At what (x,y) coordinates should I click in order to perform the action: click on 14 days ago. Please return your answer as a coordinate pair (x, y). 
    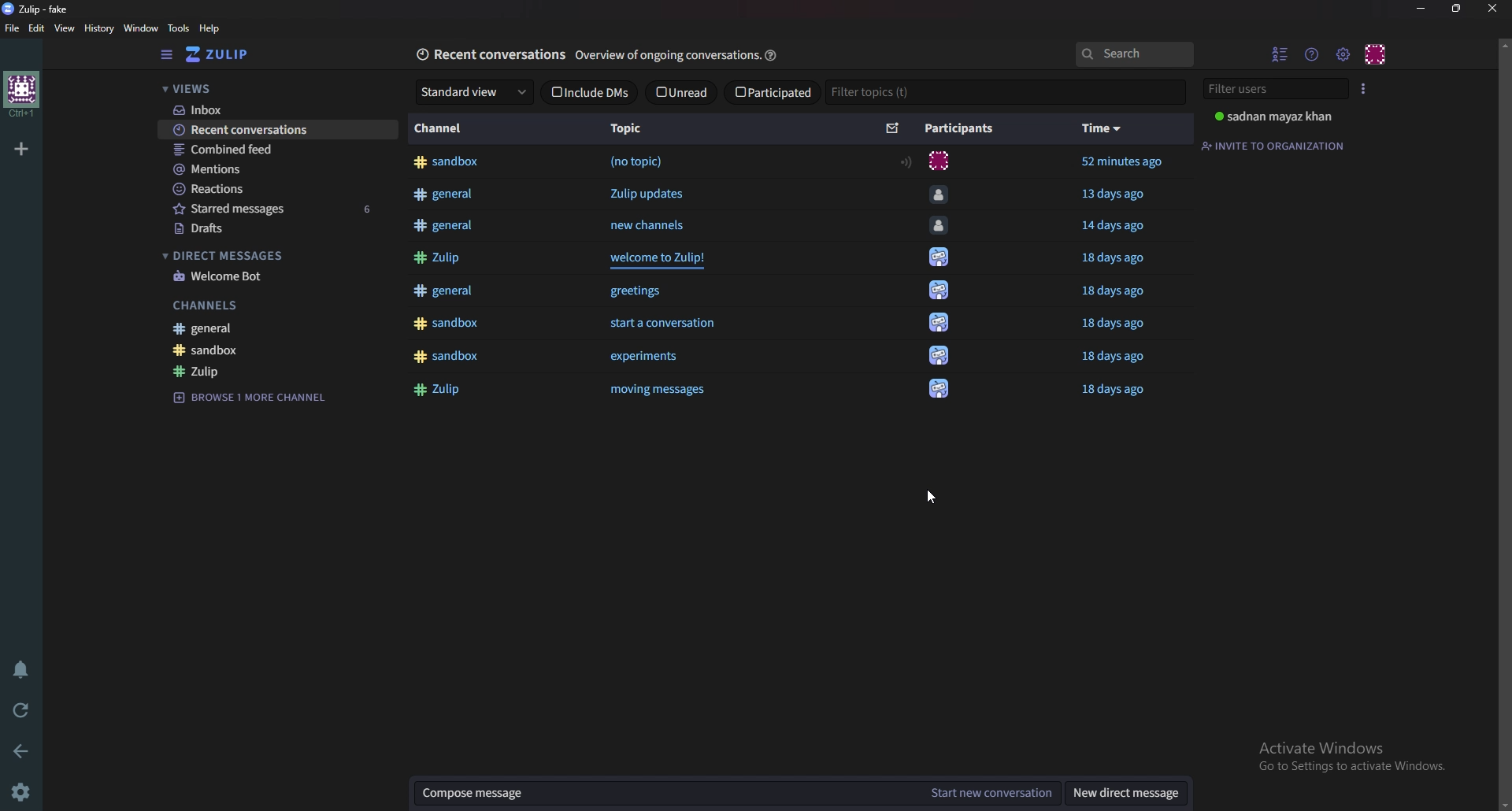
    Looking at the image, I should click on (1117, 228).